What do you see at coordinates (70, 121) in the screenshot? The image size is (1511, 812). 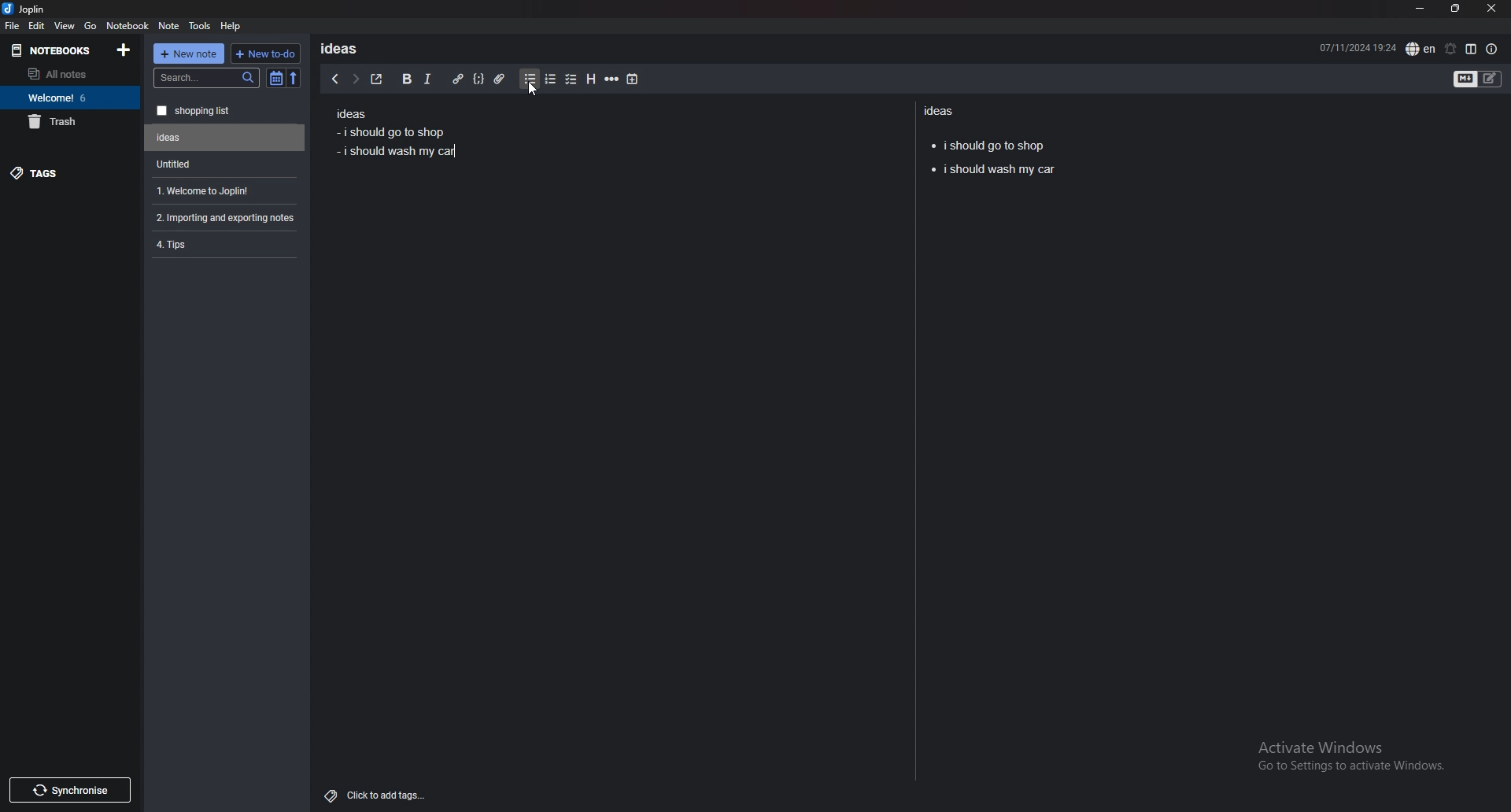 I see `trash` at bounding box center [70, 121].